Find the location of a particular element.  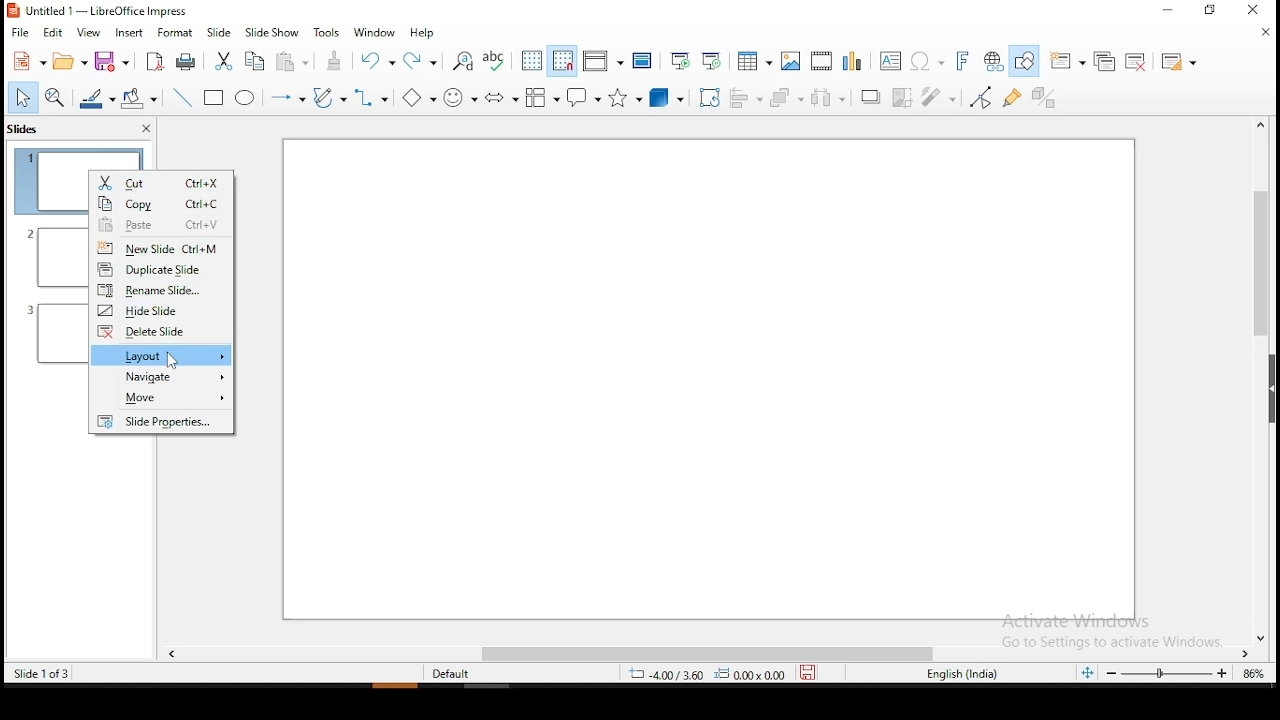

clone formatting is located at coordinates (335, 63).